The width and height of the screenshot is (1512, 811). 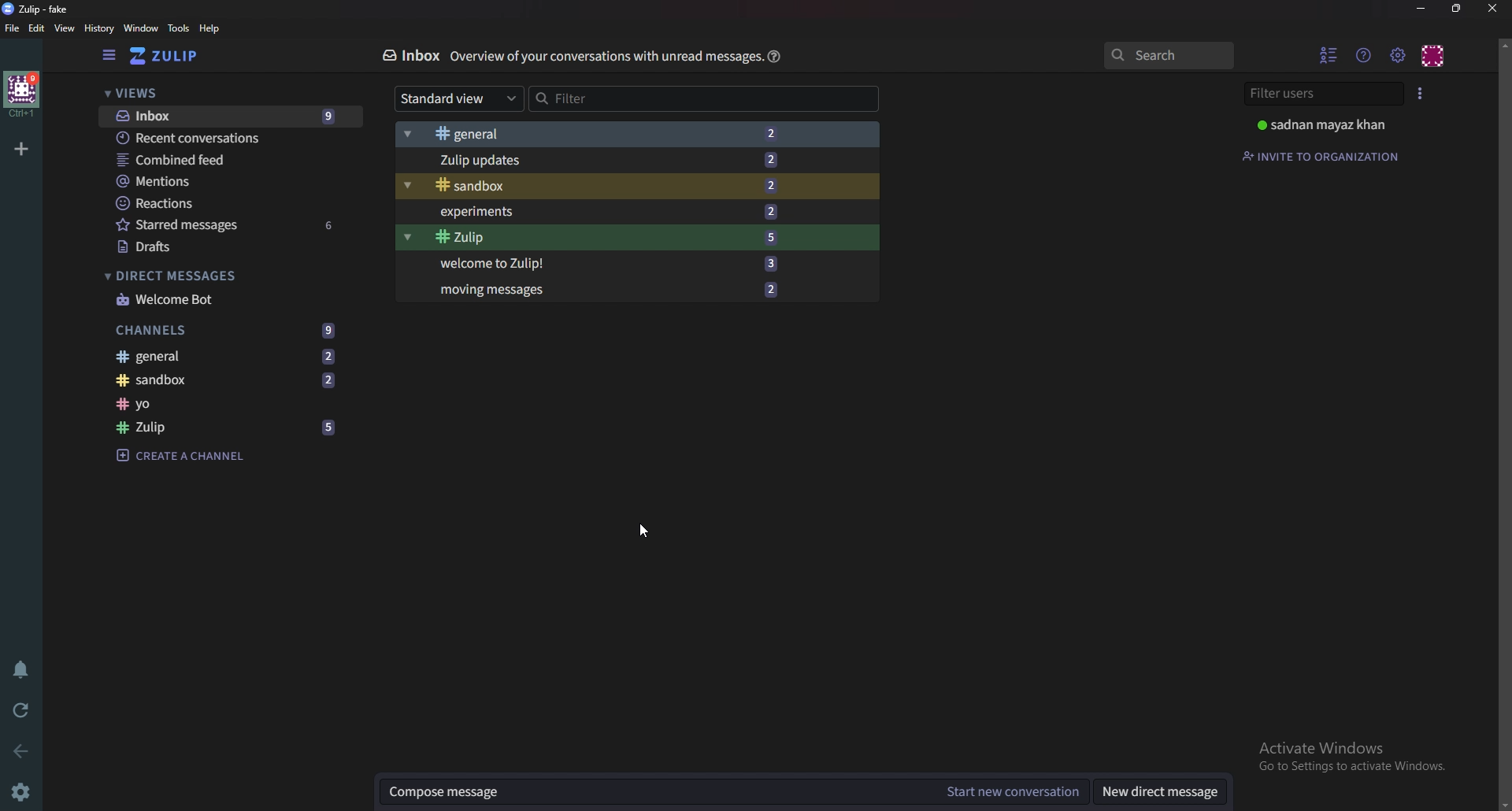 What do you see at coordinates (1422, 9) in the screenshot?
I see `minimize` at bounding box center [1422, 9].